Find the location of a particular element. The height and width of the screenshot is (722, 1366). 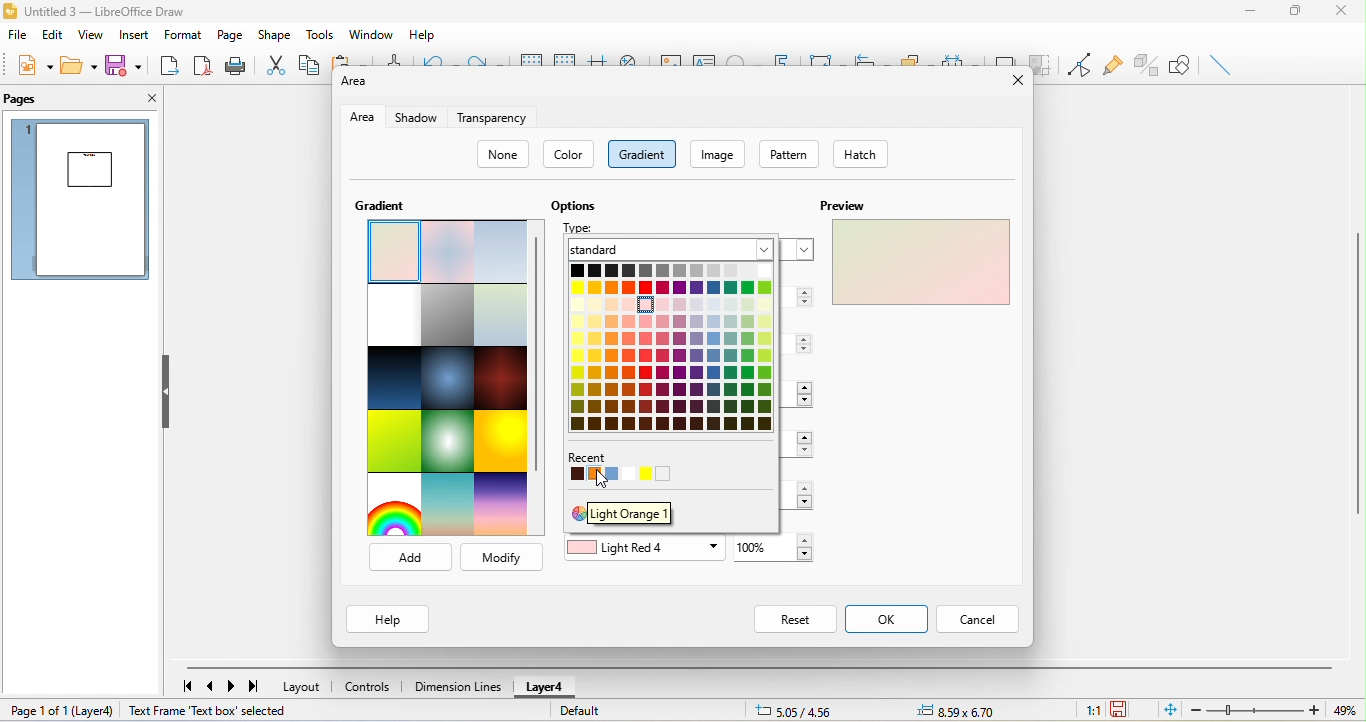

layout is located at coordinates (304, 686).